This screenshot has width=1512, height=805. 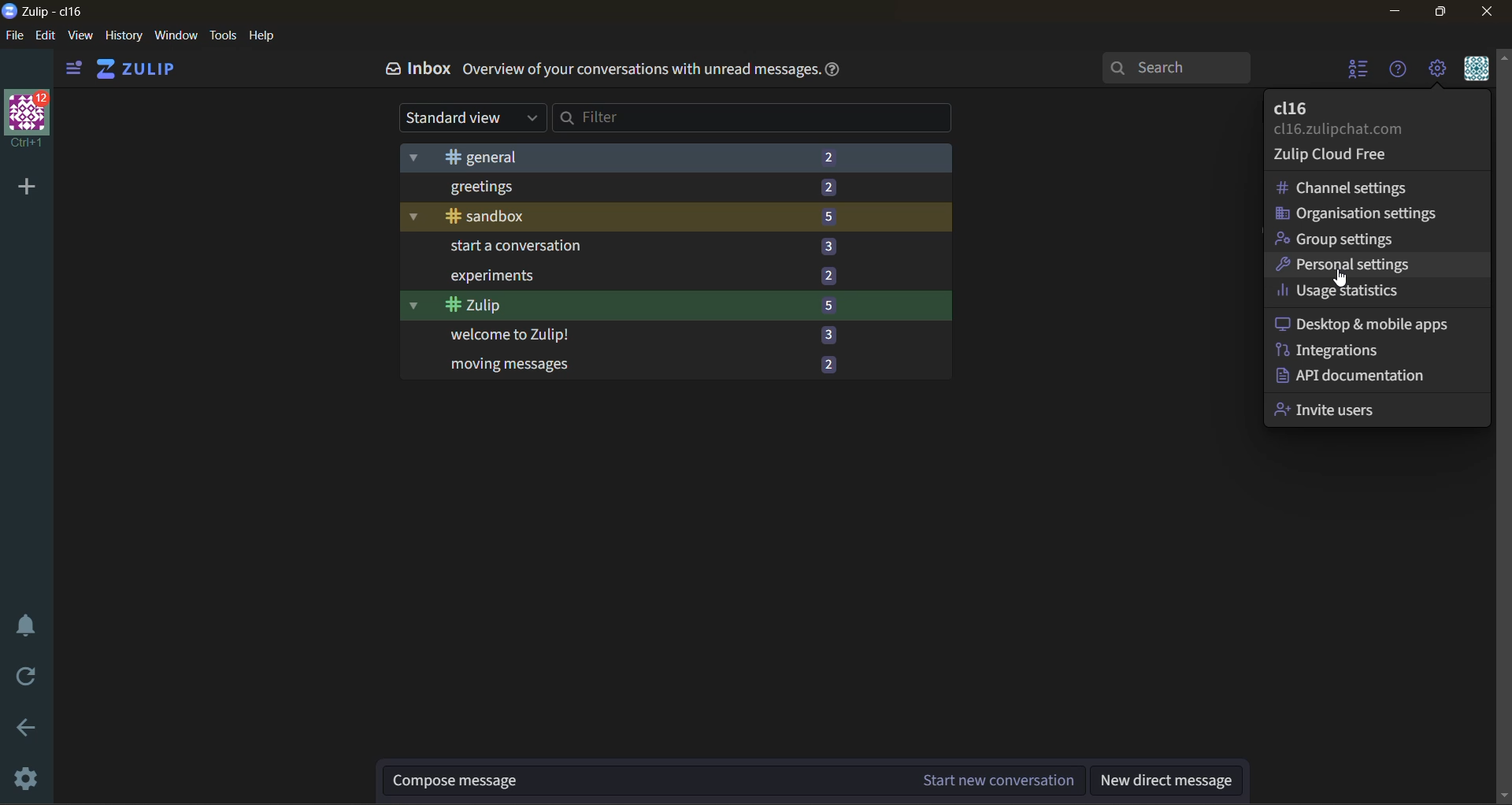 What do you see at coordinates (1494, 13) in the screenshot?
I see `close` at bounding box center [1494, 13].